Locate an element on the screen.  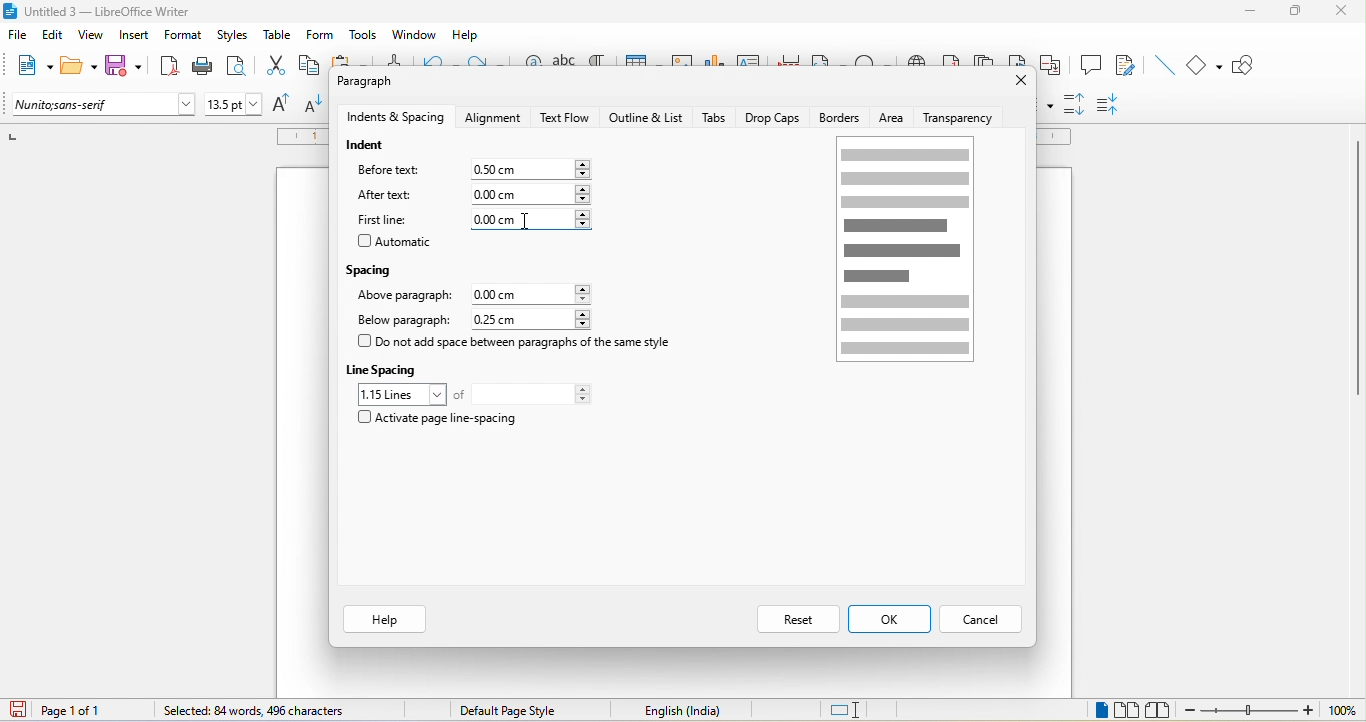
checkbox is located at coordinates (364, 240).